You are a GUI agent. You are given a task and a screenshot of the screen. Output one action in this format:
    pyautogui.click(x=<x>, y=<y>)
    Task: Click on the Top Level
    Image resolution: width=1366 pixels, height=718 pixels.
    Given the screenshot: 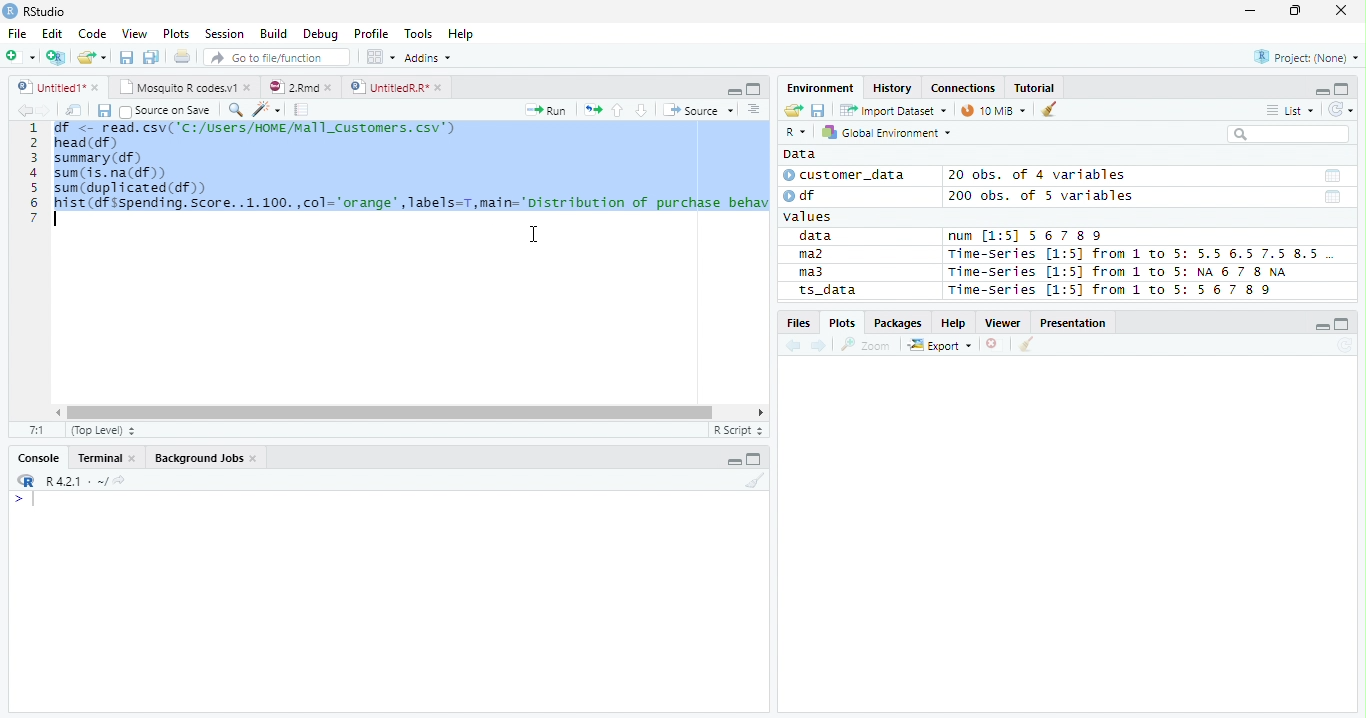 What is the action you would take?
    pyautogui.click(x=101, y=431)
    